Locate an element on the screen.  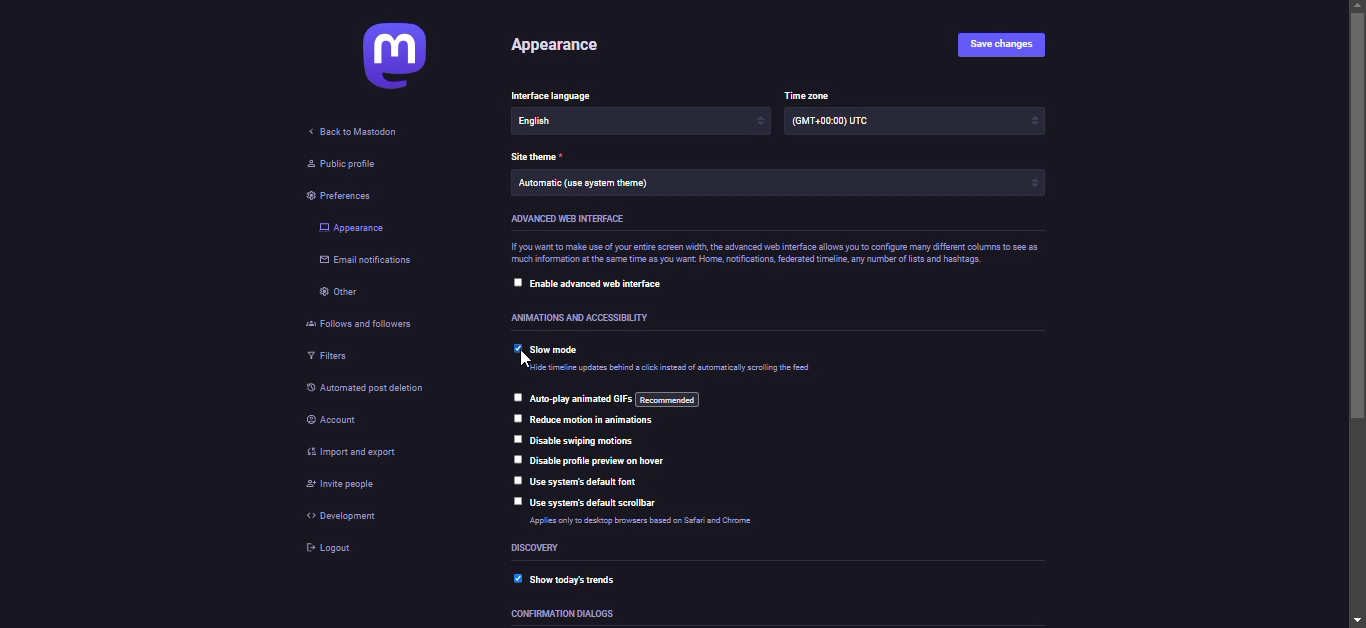
mastodon is located at coordinates (396, 57).